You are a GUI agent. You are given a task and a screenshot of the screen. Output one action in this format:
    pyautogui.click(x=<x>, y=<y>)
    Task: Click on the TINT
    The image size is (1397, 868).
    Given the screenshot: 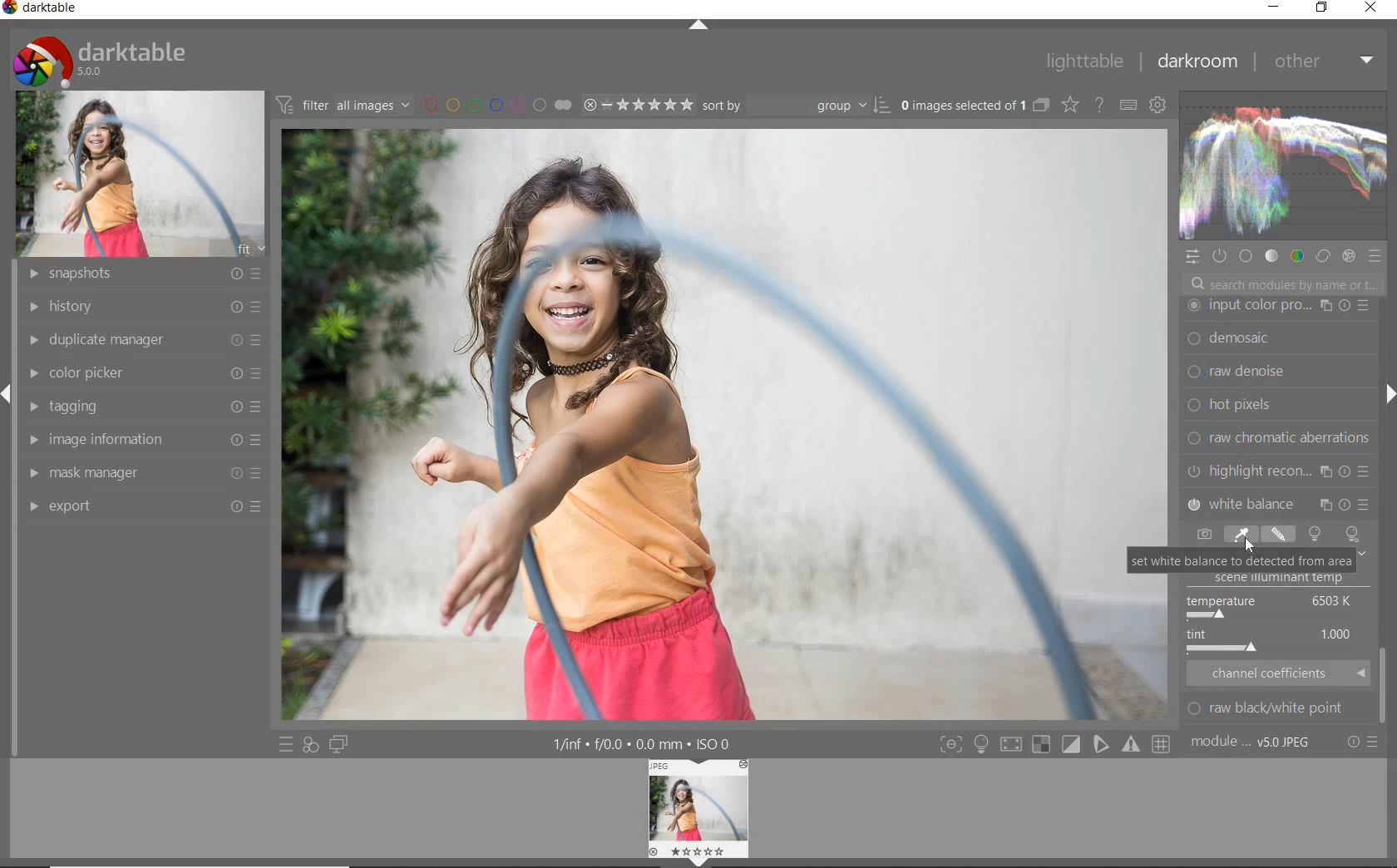 What is the action you would take?
    pyautogui.click(x=1273, y=641)
    